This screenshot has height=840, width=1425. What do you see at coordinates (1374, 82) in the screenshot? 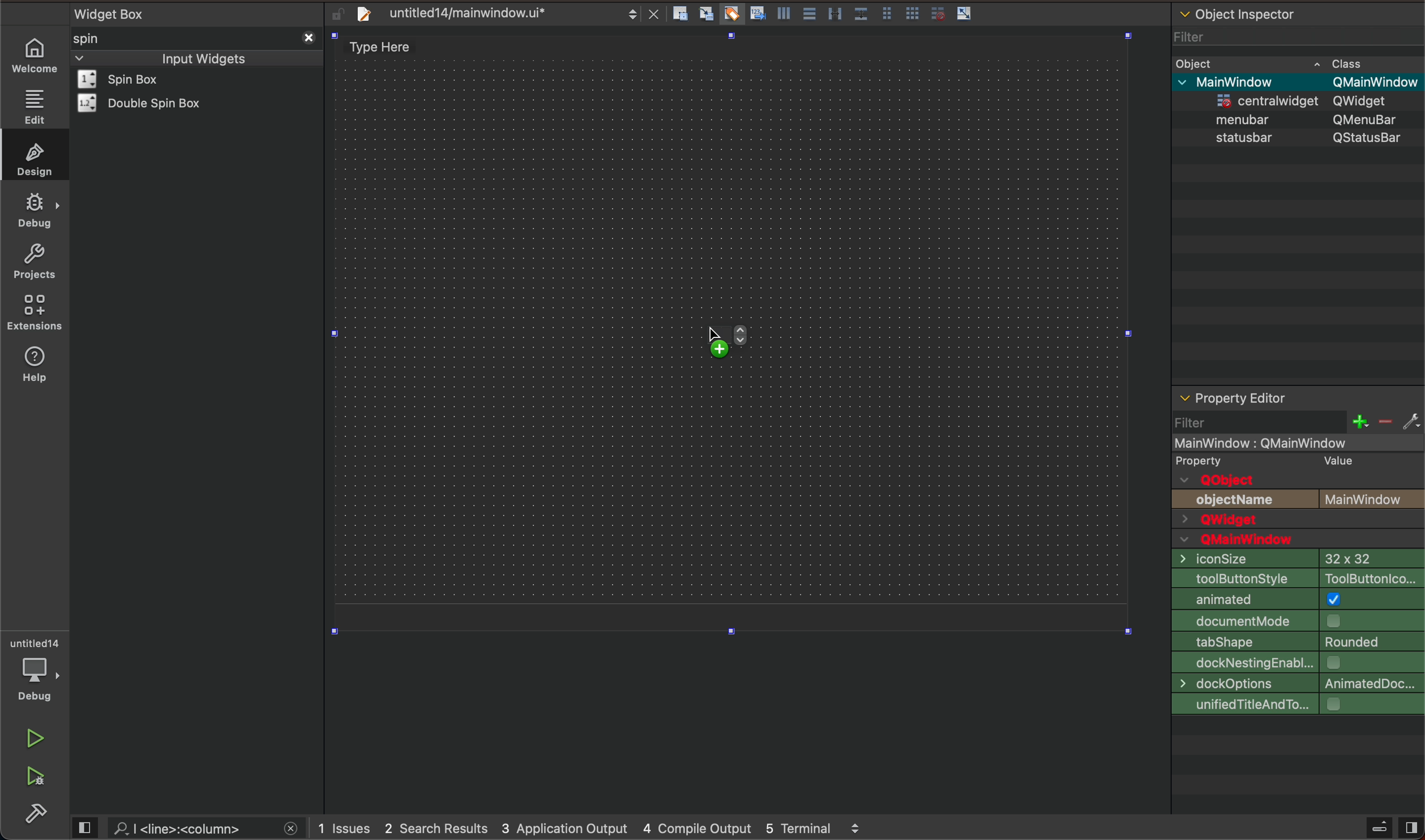
I see `` at bounding box center [1374, 82].